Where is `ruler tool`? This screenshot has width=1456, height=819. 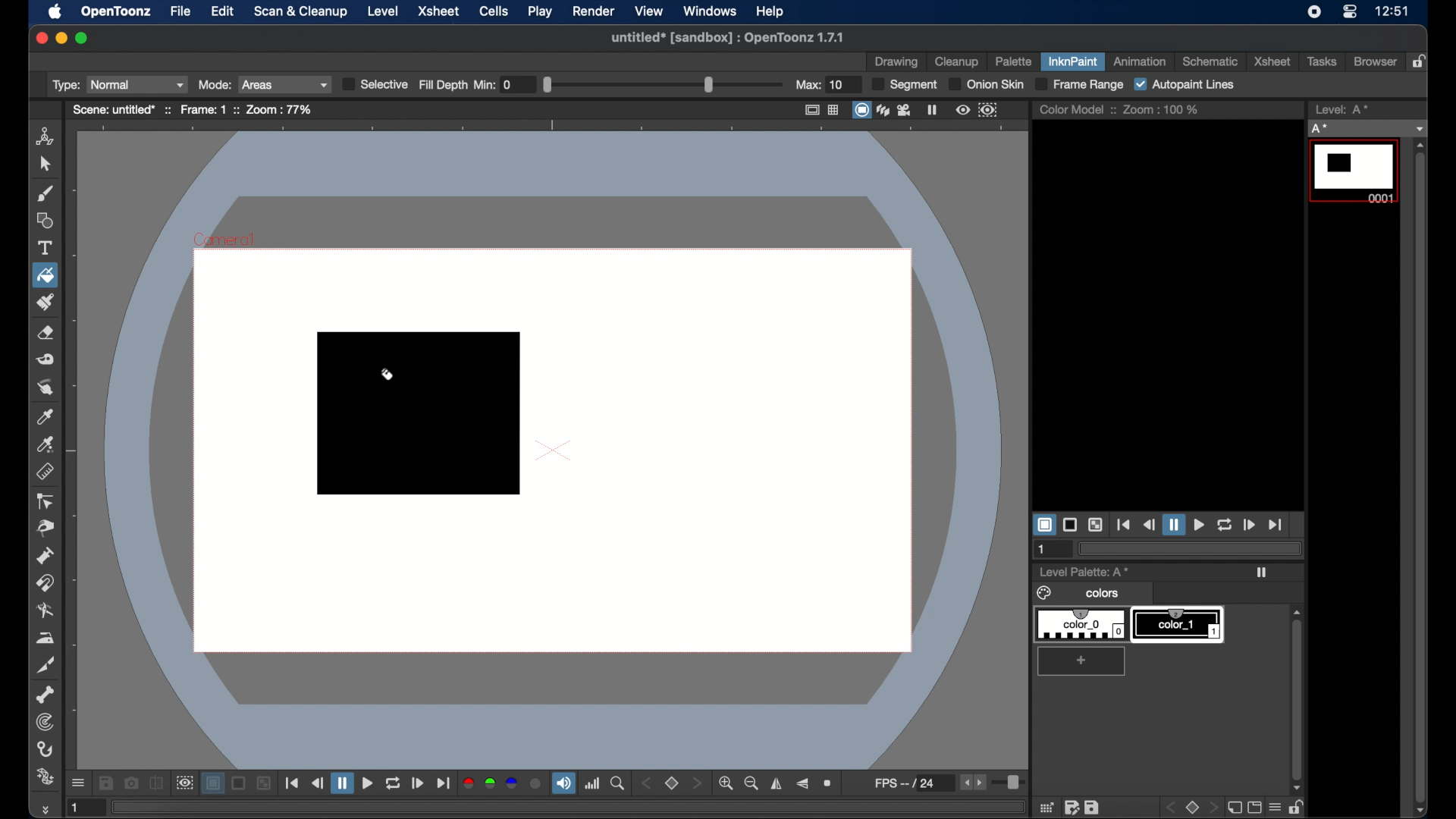
ruler tool is located at coordinates (45, 472).